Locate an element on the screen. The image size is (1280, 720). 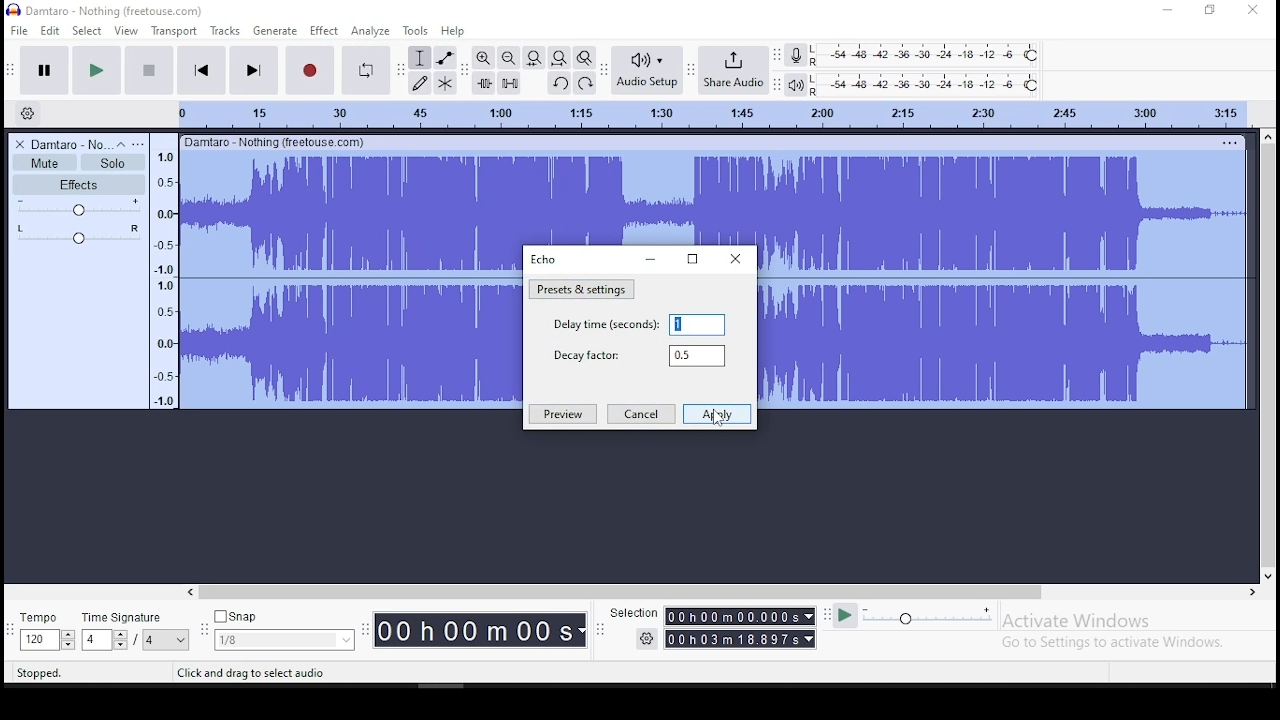
right is located at coordinates (1252, 591).